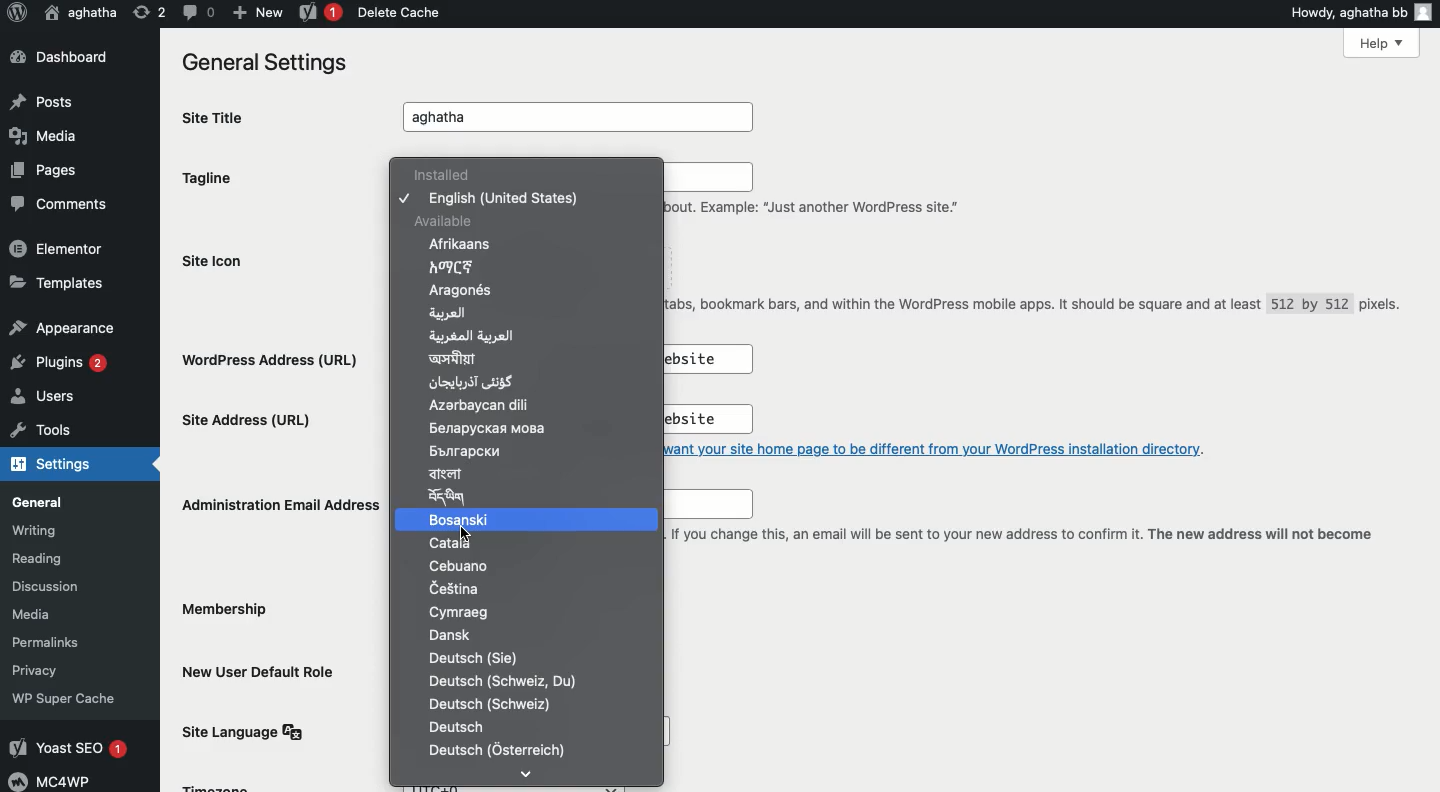  Describe the element at coordinates (277, 359) in the screenshot. I see `Wordpress address url` at that location.